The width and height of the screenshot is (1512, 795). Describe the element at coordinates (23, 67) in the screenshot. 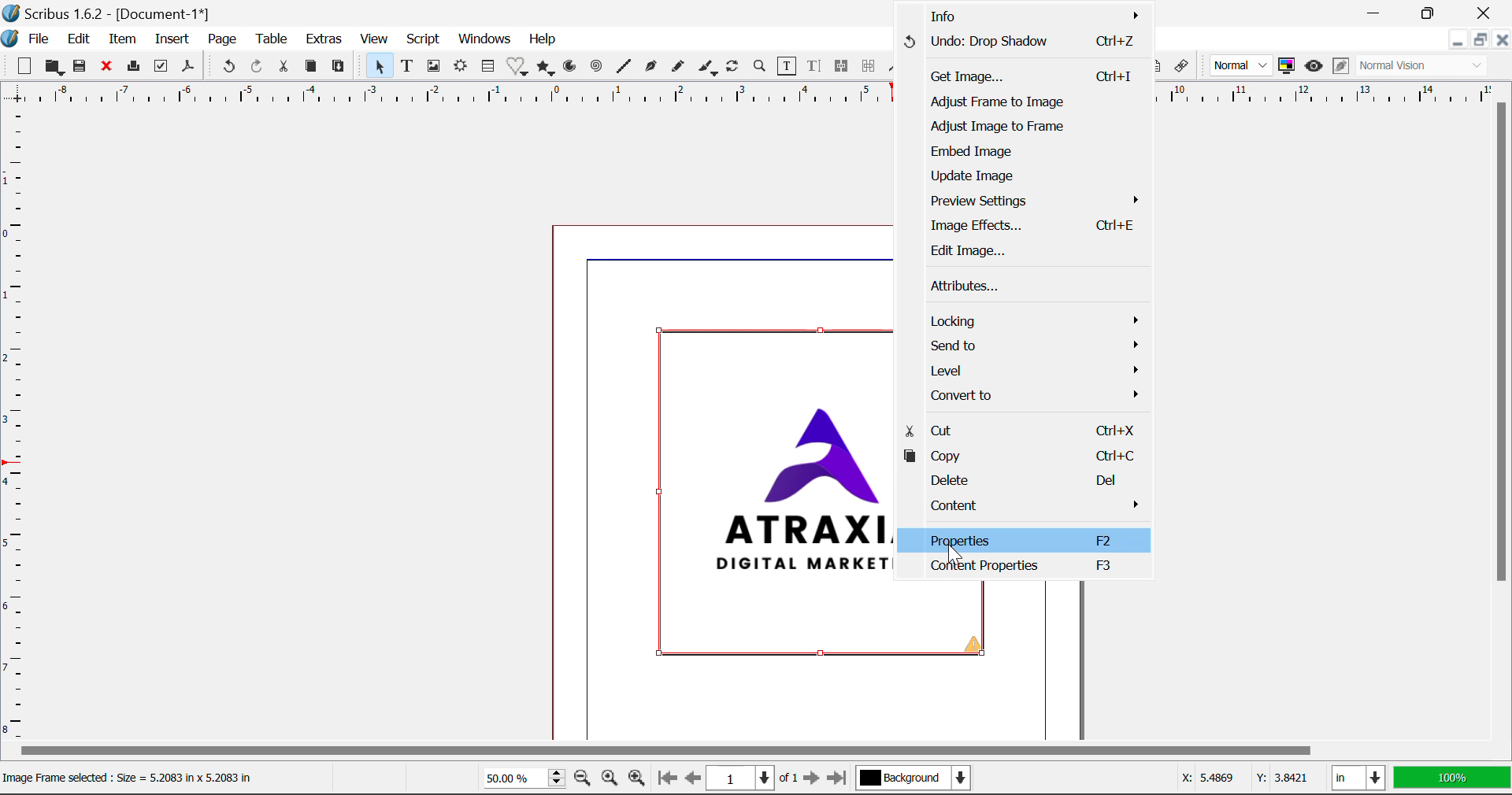

I see `New` at that location.